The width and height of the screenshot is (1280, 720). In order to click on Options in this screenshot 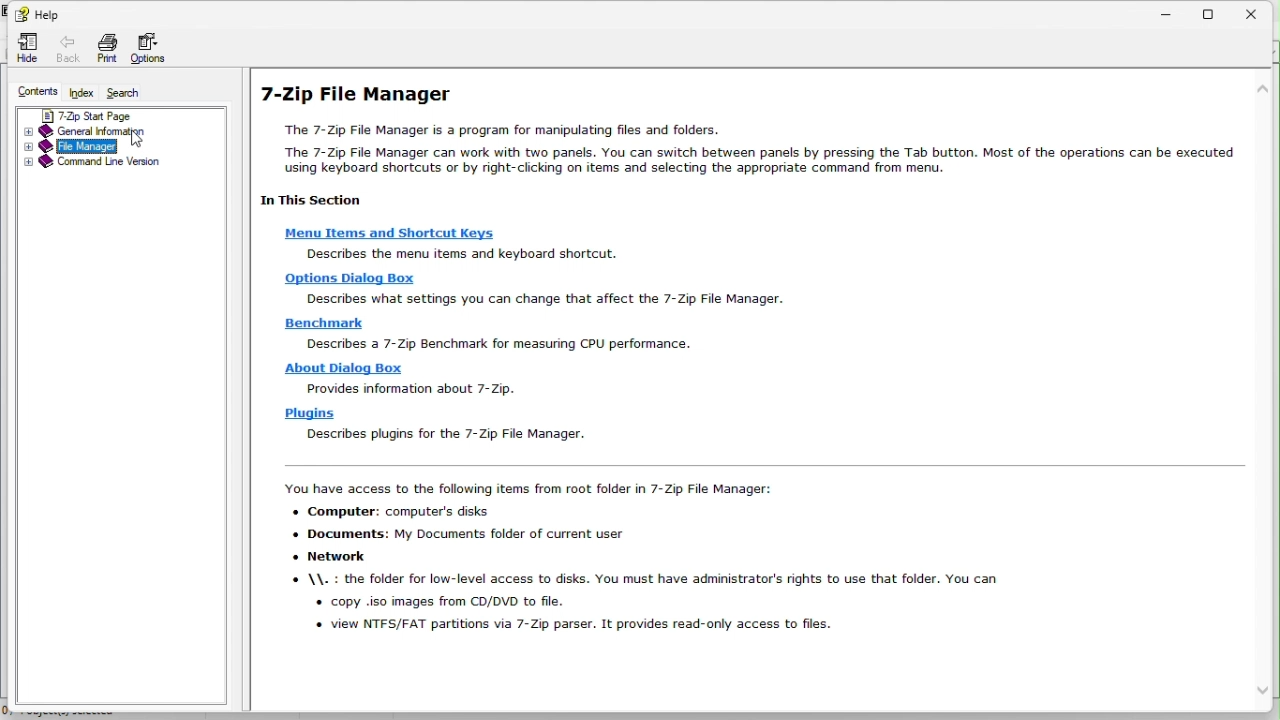, I will do `click(155, 50)`.